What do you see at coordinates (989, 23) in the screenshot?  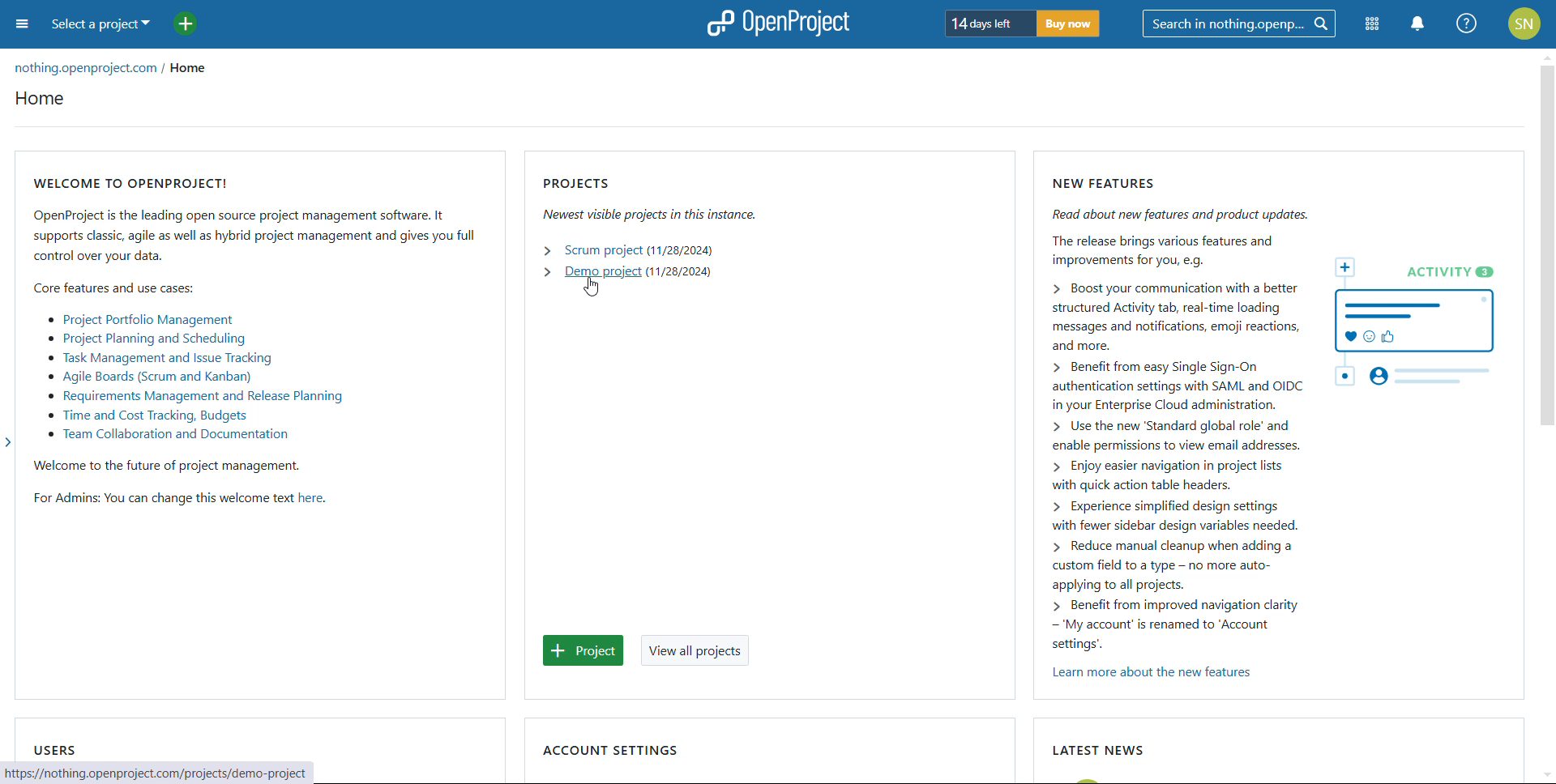 I see `days left for trial` at bounding box center [989, 23].